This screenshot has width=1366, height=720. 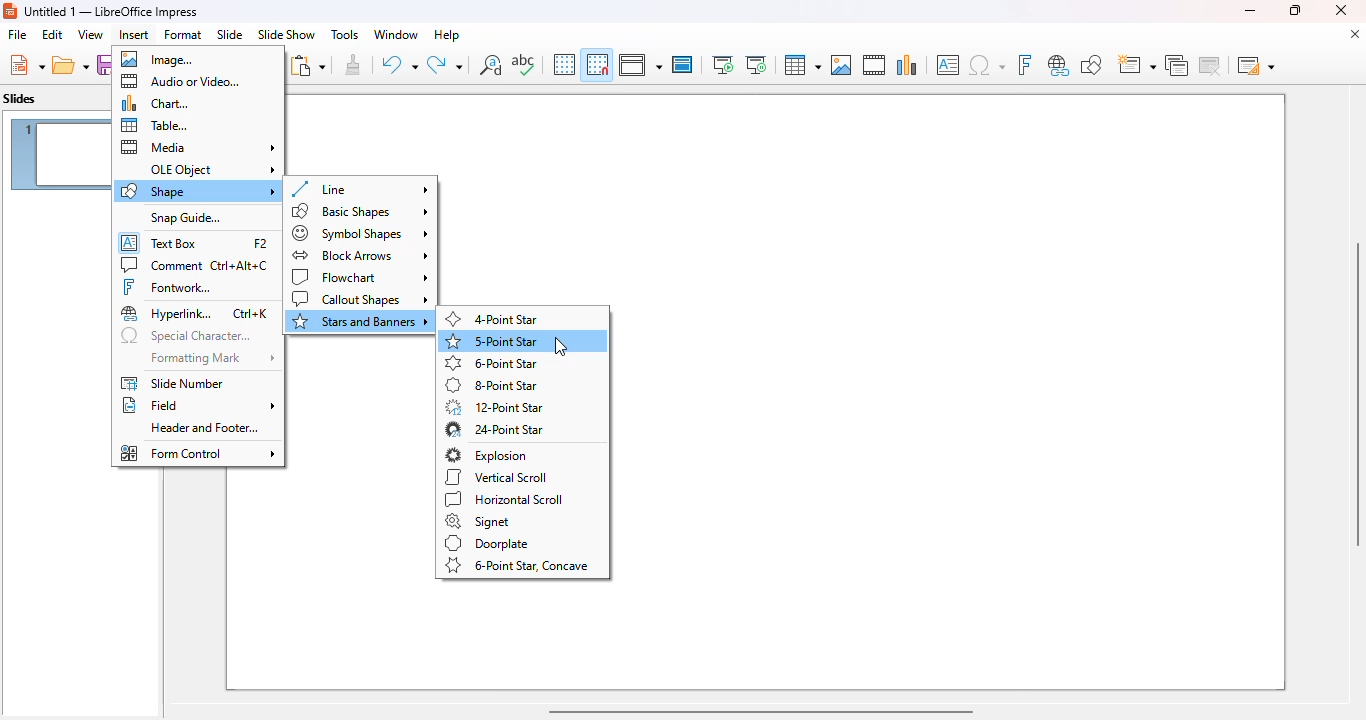 I want to click on slide, so click(x=229, y=34).